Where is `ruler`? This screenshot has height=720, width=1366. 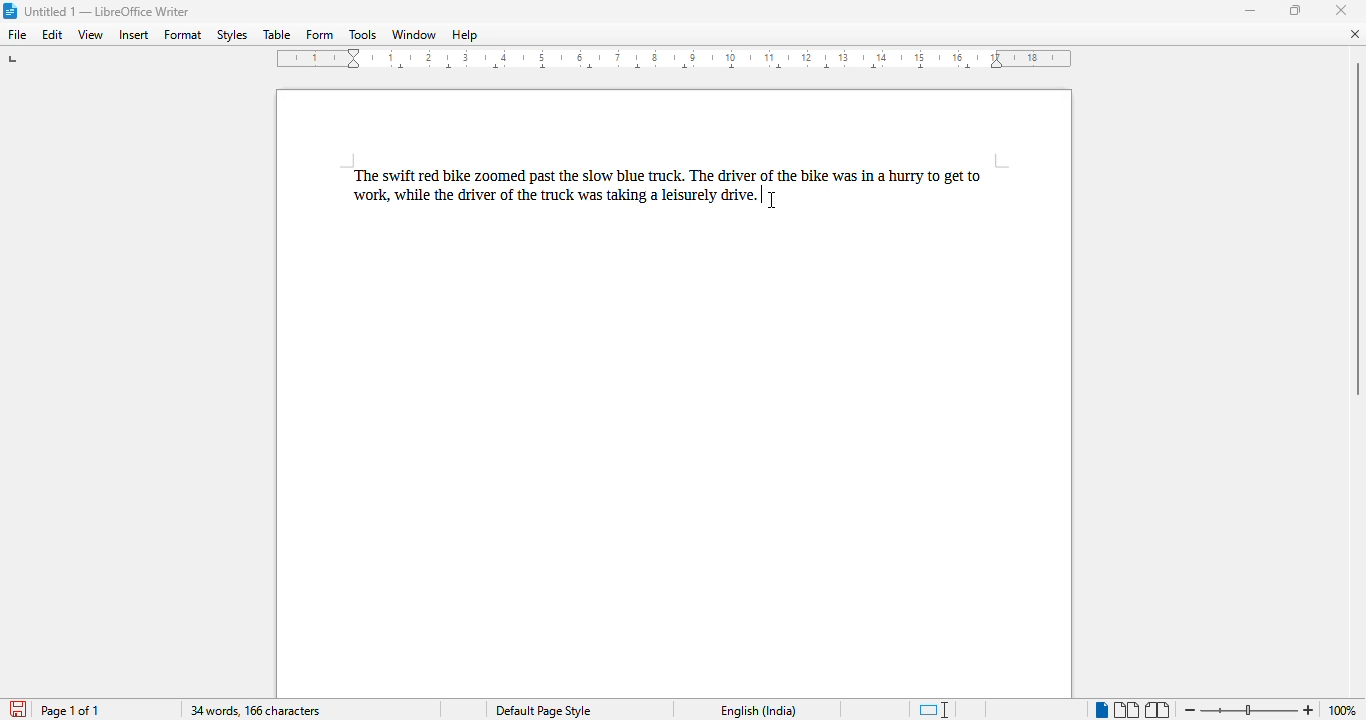
ruler is located at coordinates (675, 59).